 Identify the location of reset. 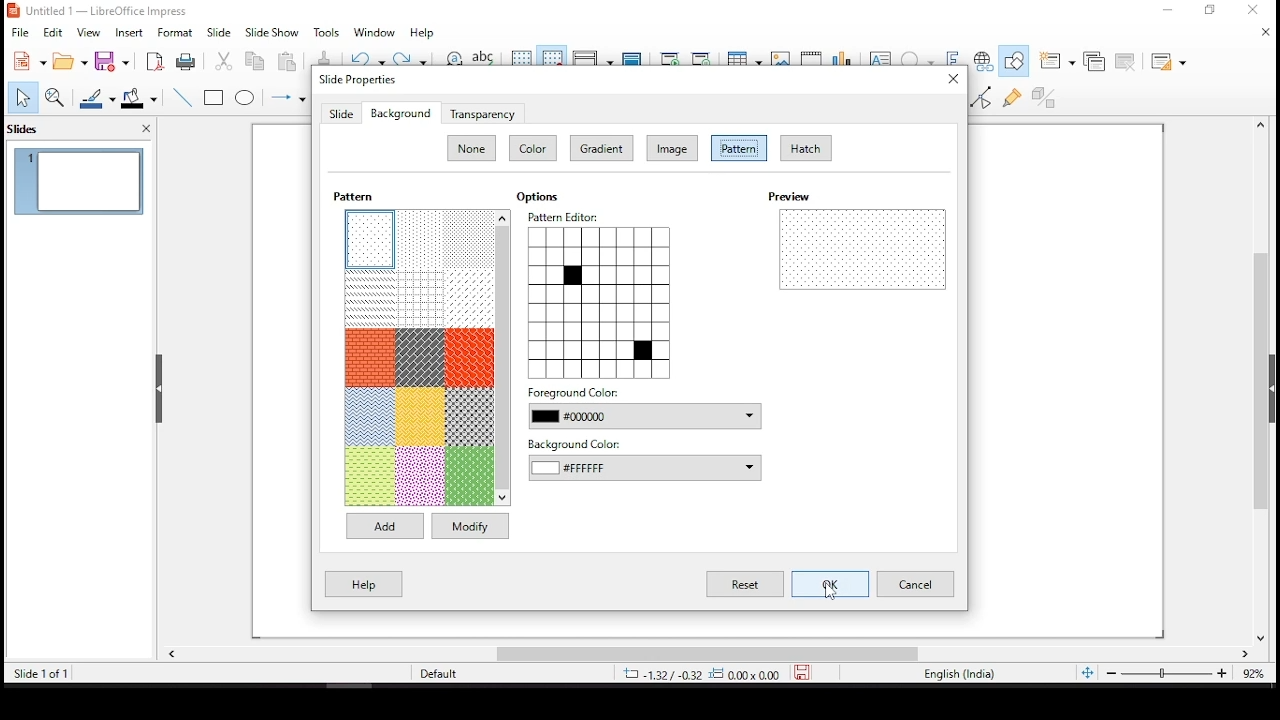
(745, 585).